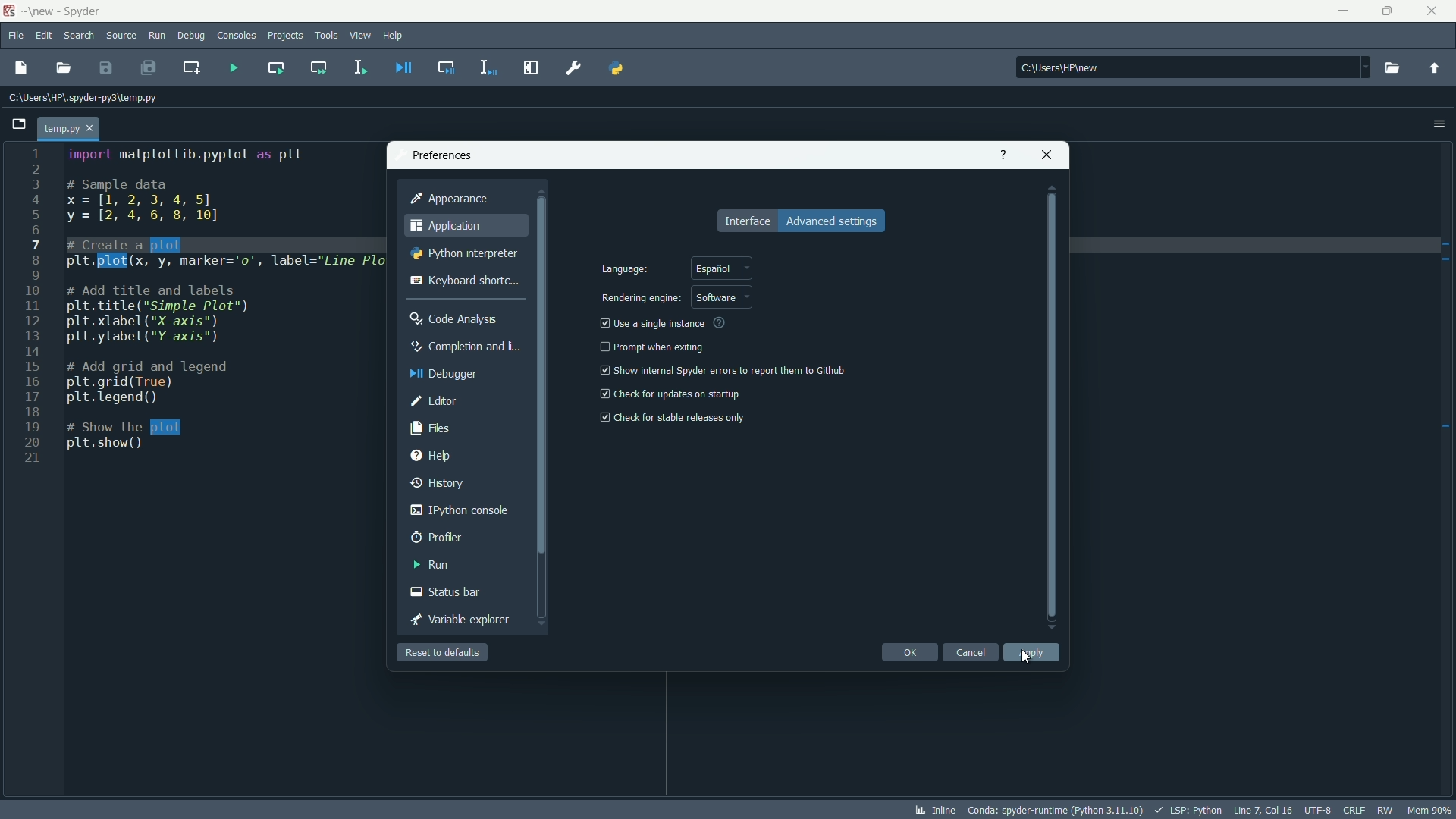 The height and width of the screenshot is (819, 1456). What do you see at coordinates (448, 374) in the screenshot?
I see `debugger` at bounding box center [448, 374].